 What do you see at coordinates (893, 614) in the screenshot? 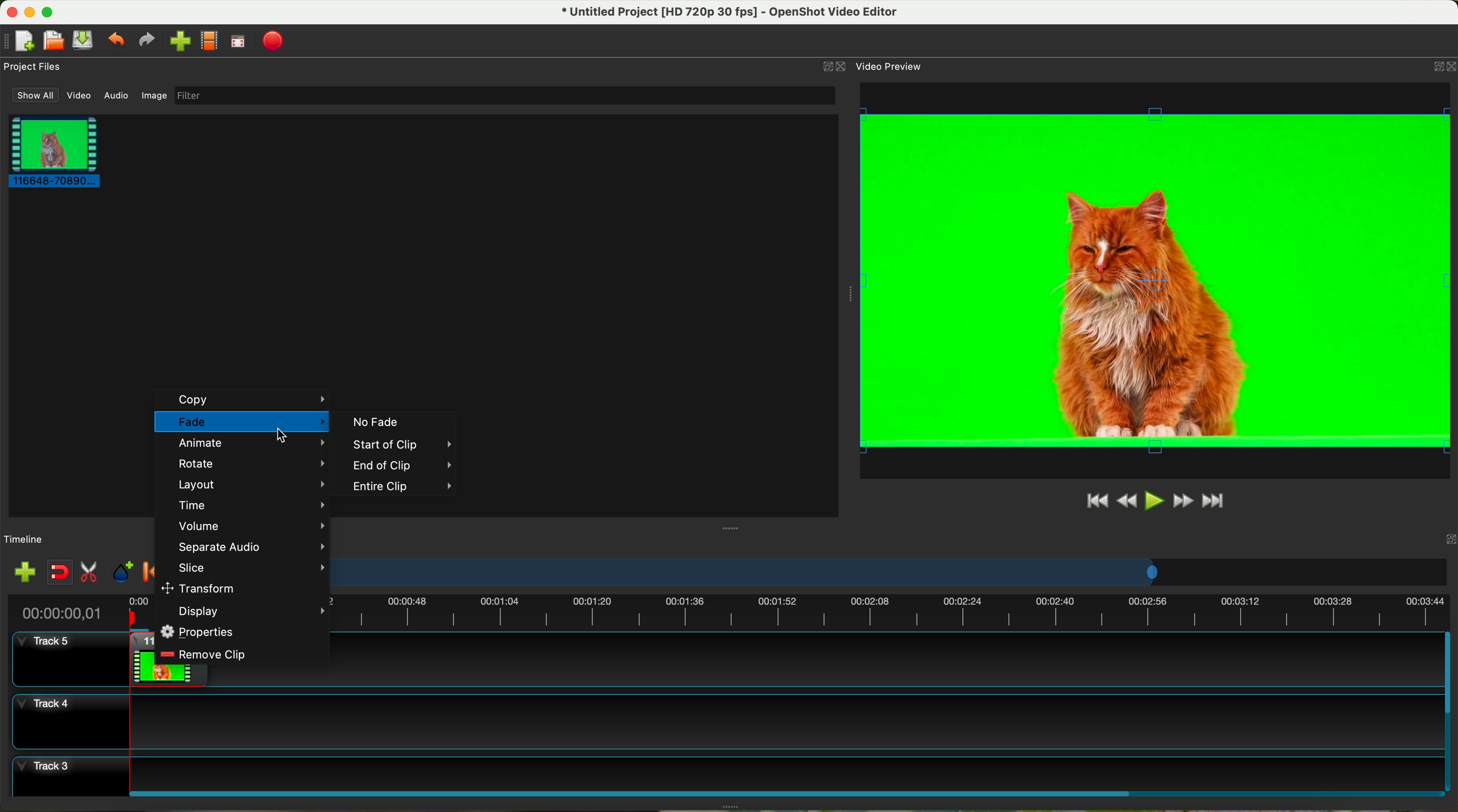
I see `timeline` at bounding box center [893, 614].